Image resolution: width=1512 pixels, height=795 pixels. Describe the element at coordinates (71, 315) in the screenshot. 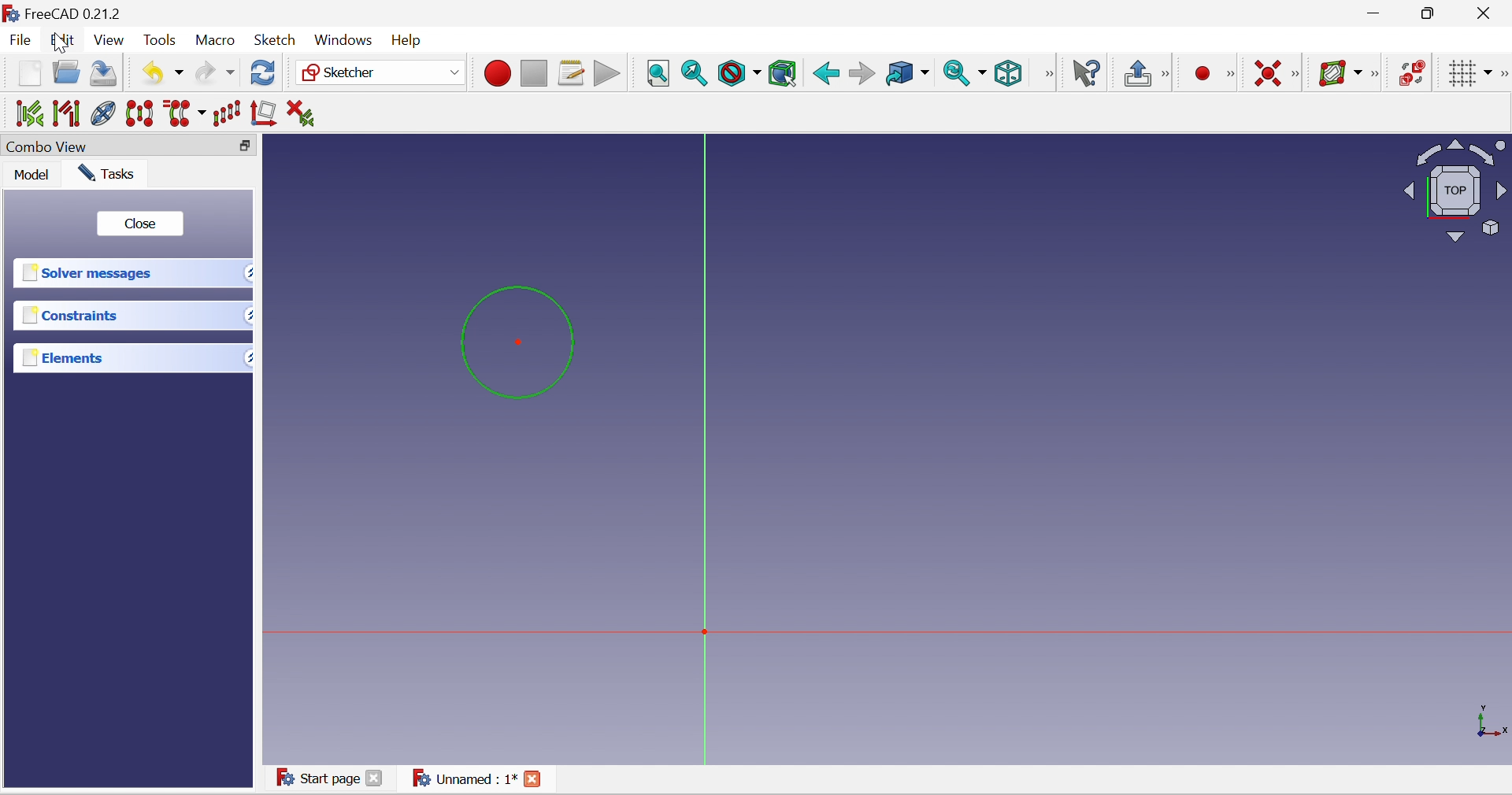

I see `Constraints` at that location.